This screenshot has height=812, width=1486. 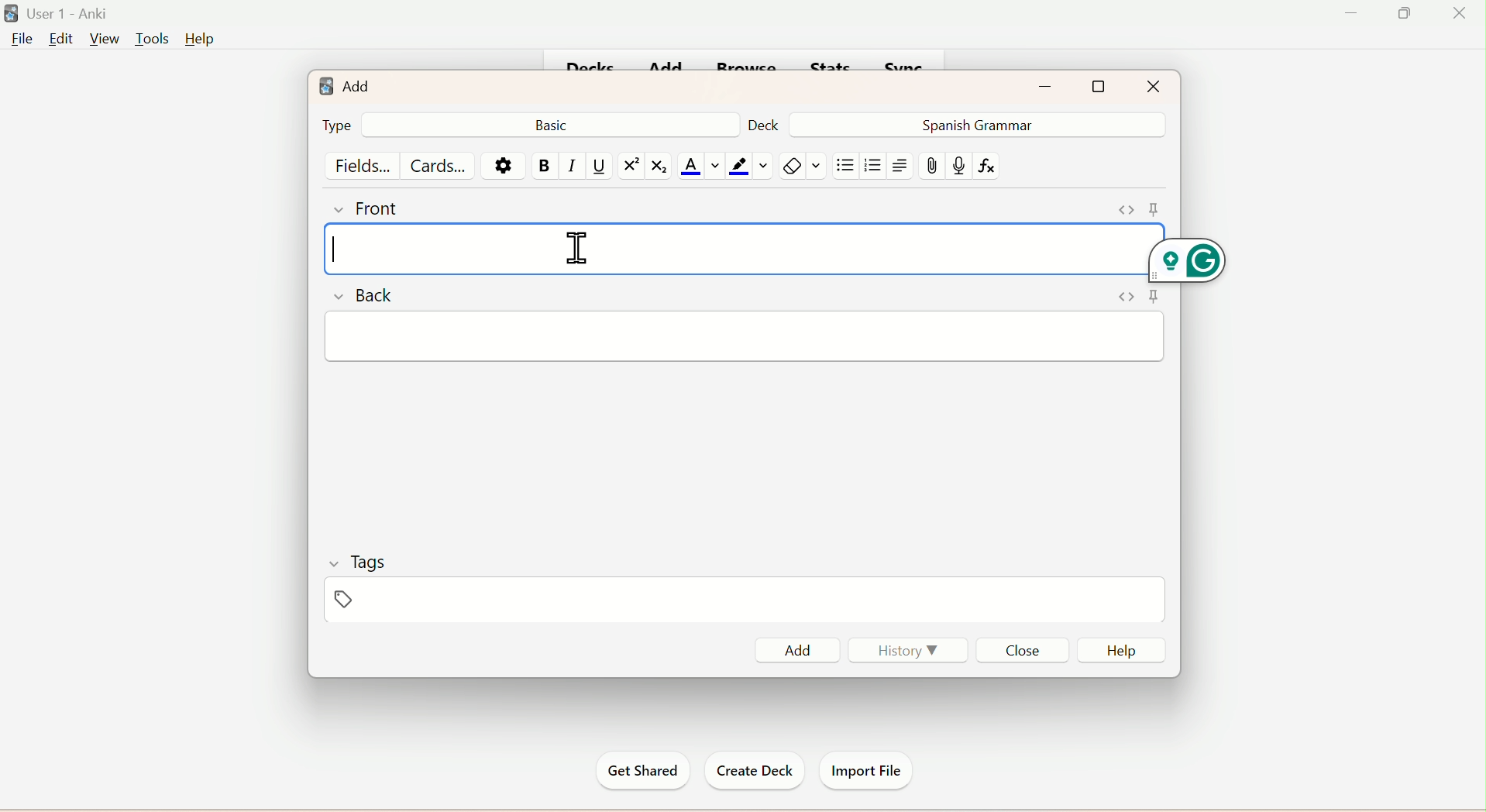 I want to click on Basic, so click(x=555, y=124).